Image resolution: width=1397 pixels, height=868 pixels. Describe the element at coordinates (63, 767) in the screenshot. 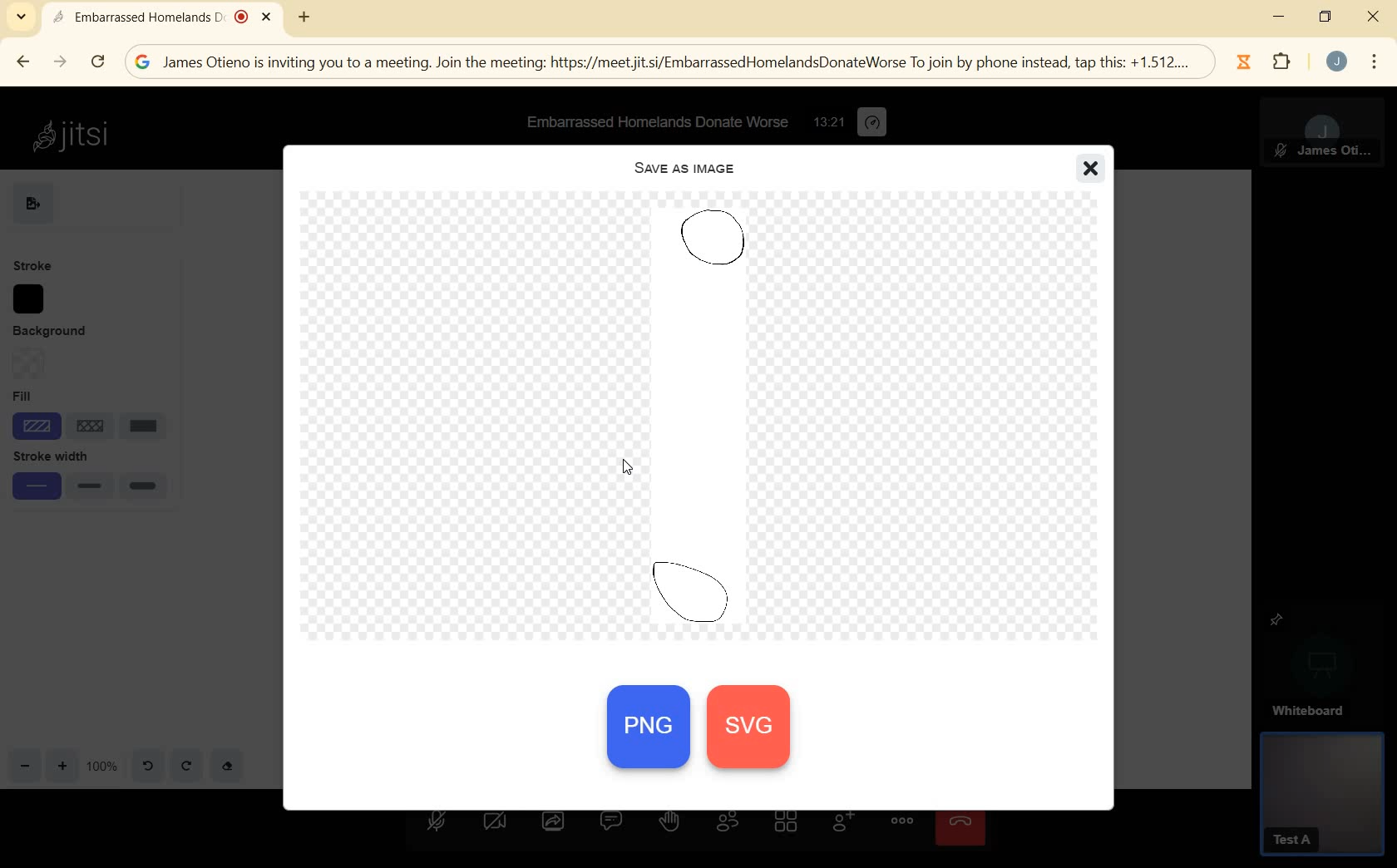

I see `zoom in` at that location.